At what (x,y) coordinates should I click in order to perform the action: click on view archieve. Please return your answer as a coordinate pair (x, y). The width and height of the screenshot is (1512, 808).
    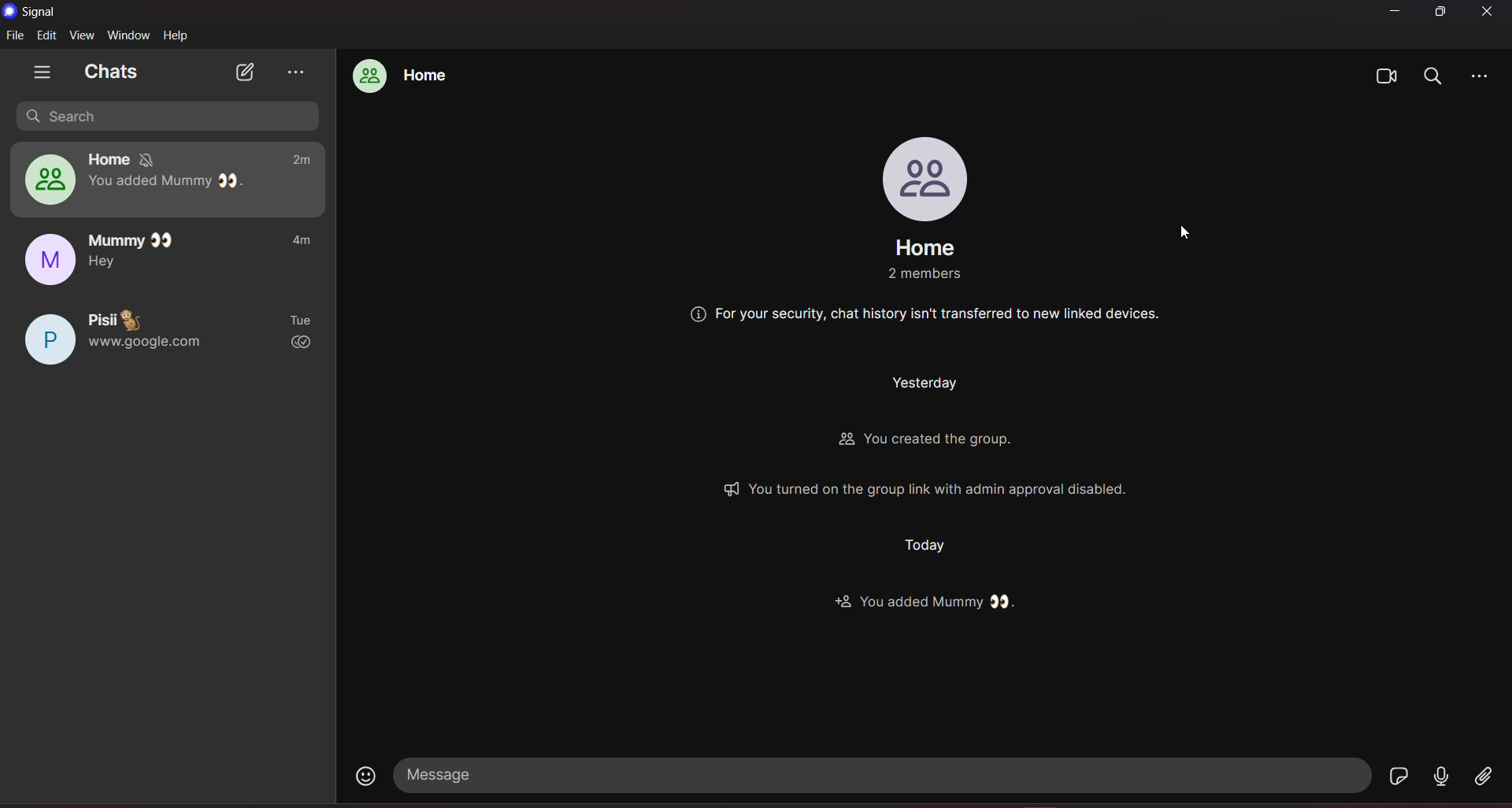
    Looking at the image, I should click on (297, 74).